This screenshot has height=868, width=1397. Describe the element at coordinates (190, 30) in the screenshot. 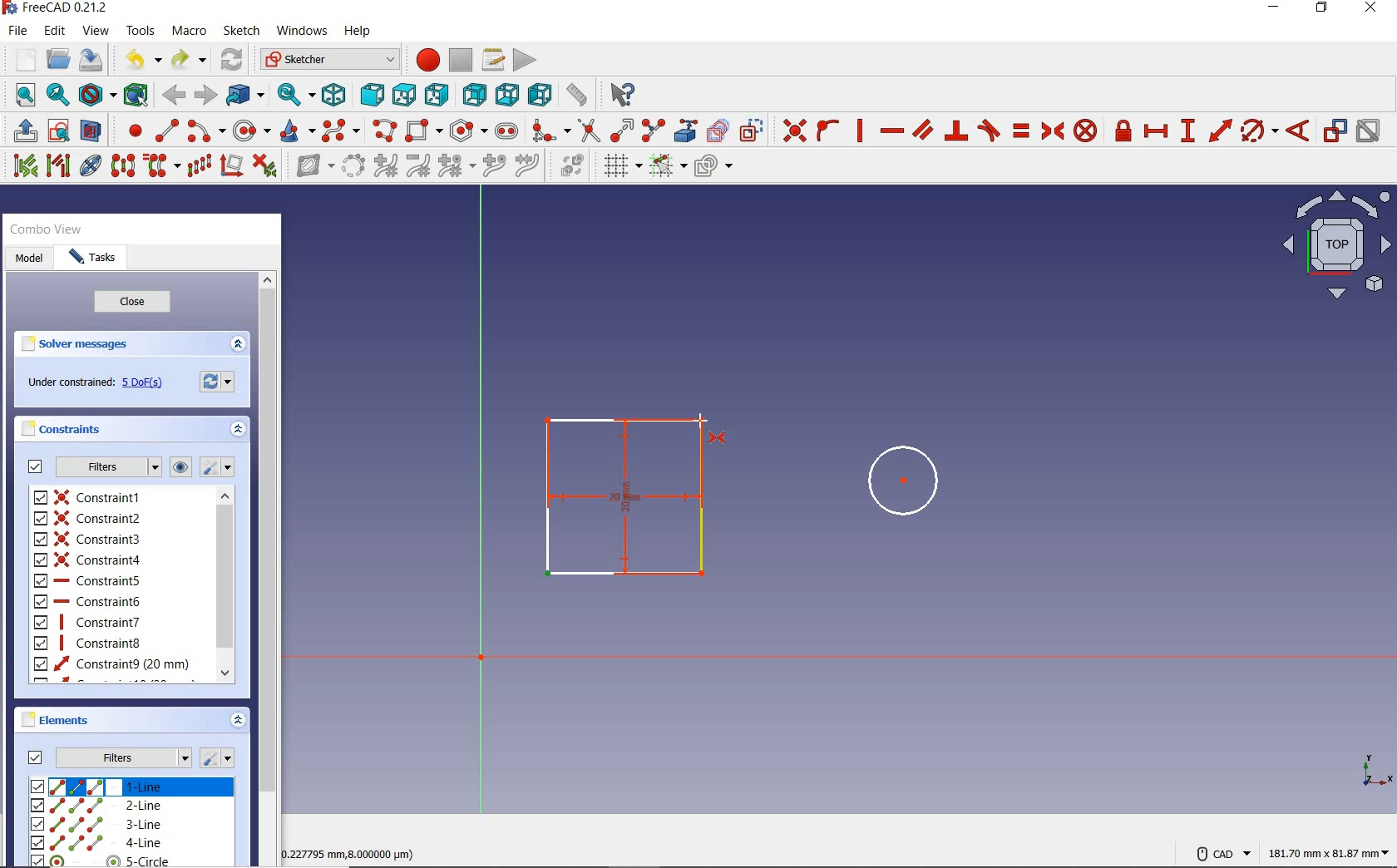

I see `macro` at that location.